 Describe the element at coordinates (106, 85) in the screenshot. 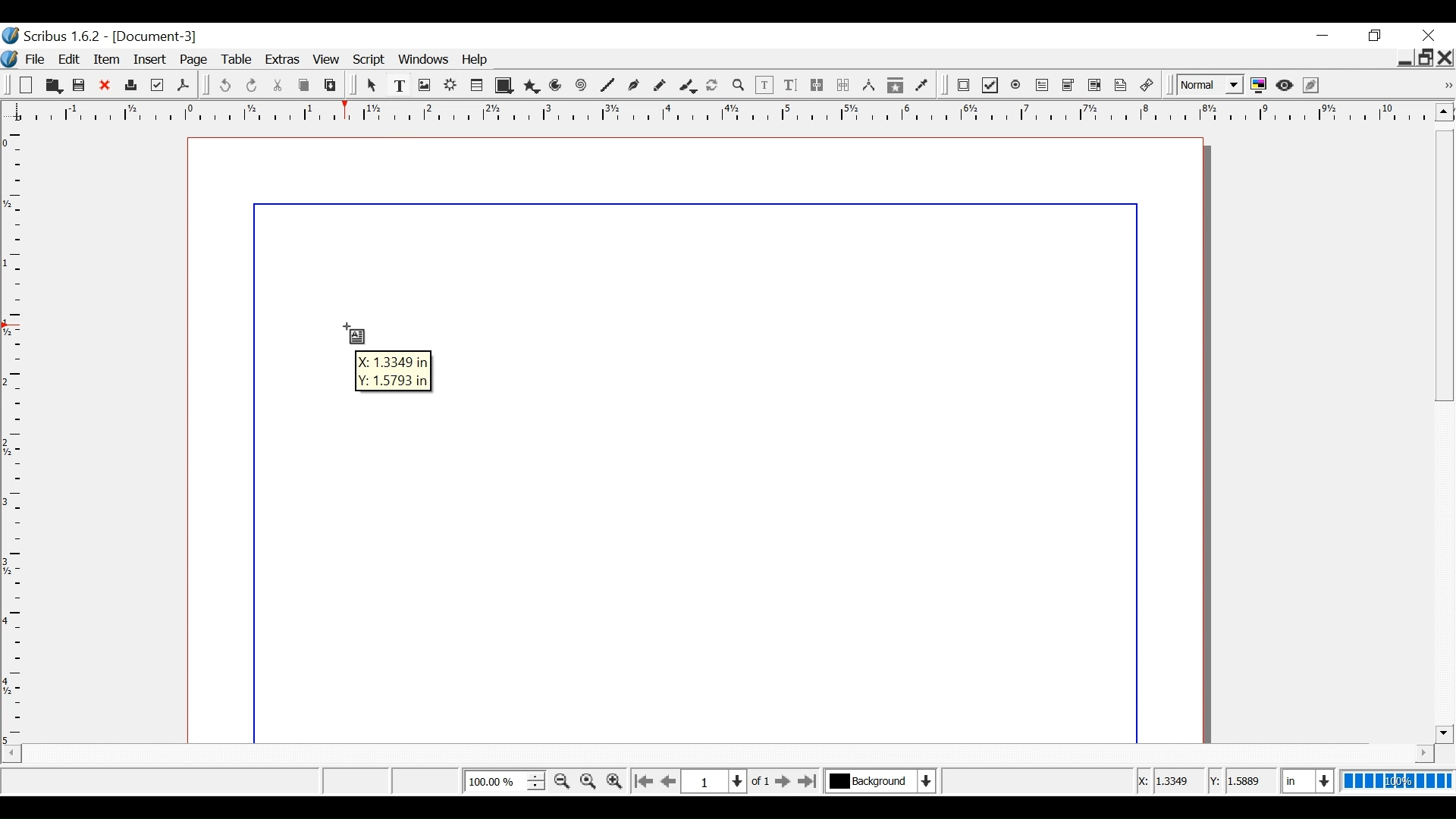

I see `Close` at that location.